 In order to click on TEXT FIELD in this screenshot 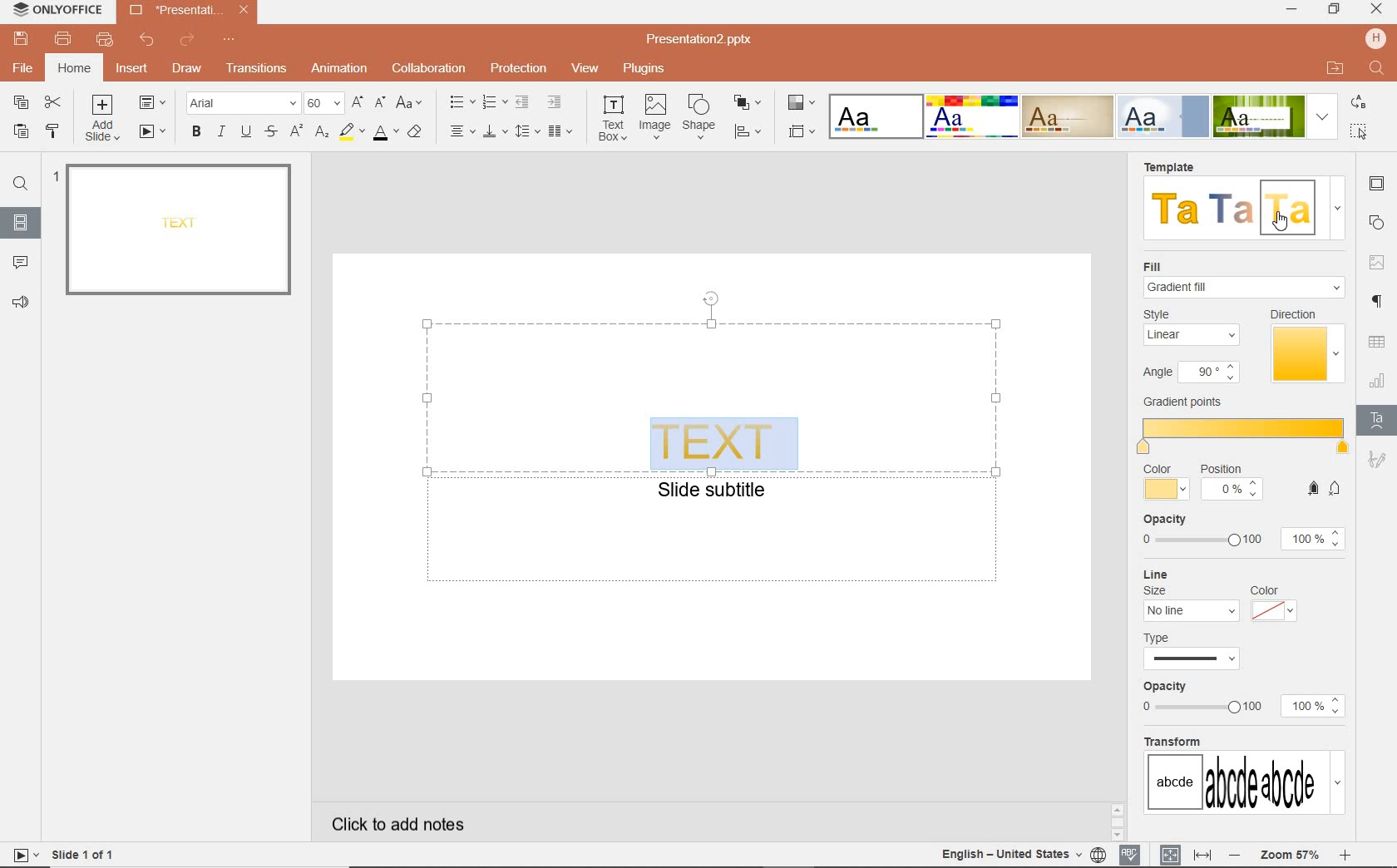, I will do `click(711, 397)`.